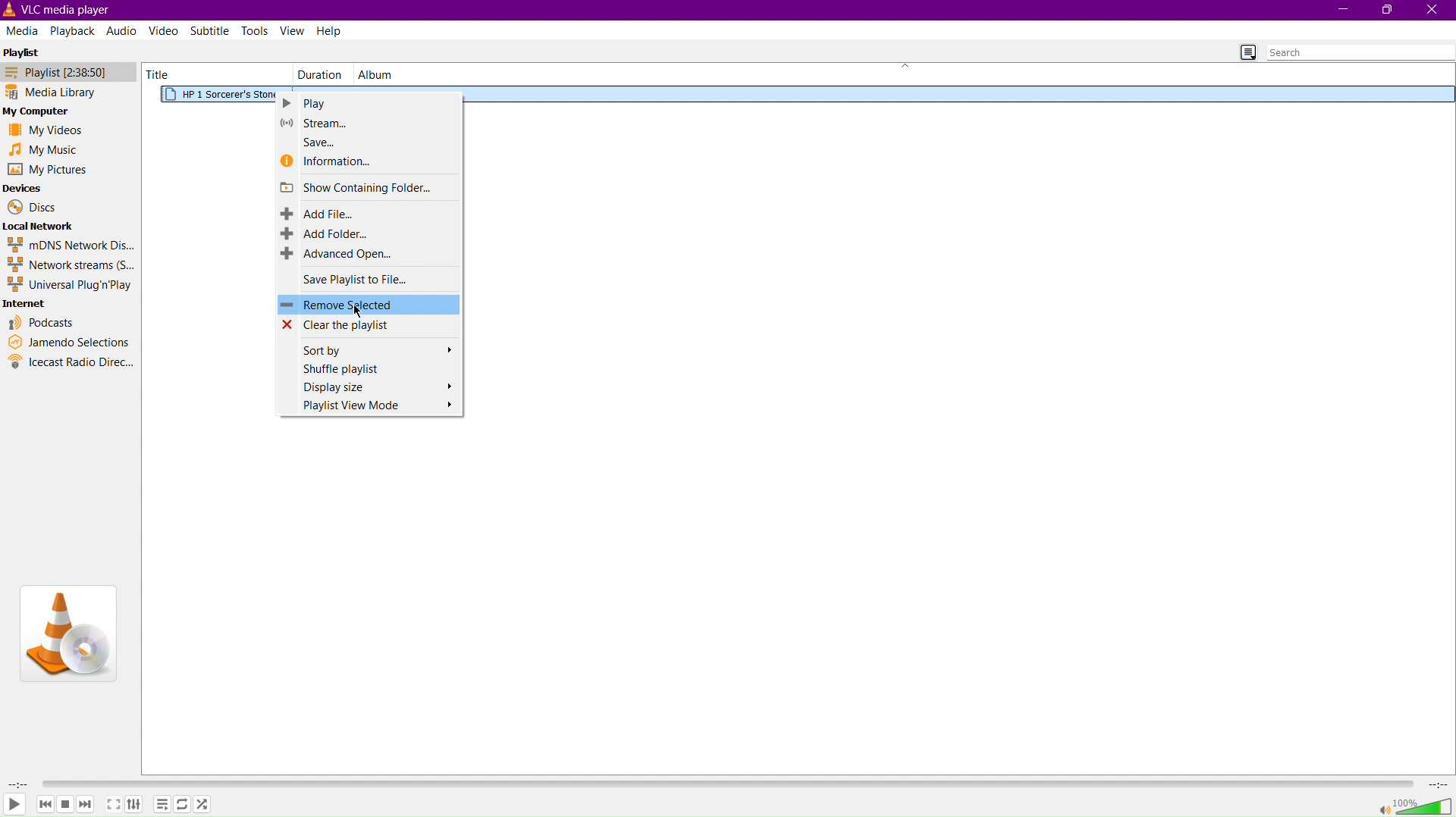  What do you see at coordinates (375, 74) in the screenshot?
I see `Album` at bounding box center [375, 74].